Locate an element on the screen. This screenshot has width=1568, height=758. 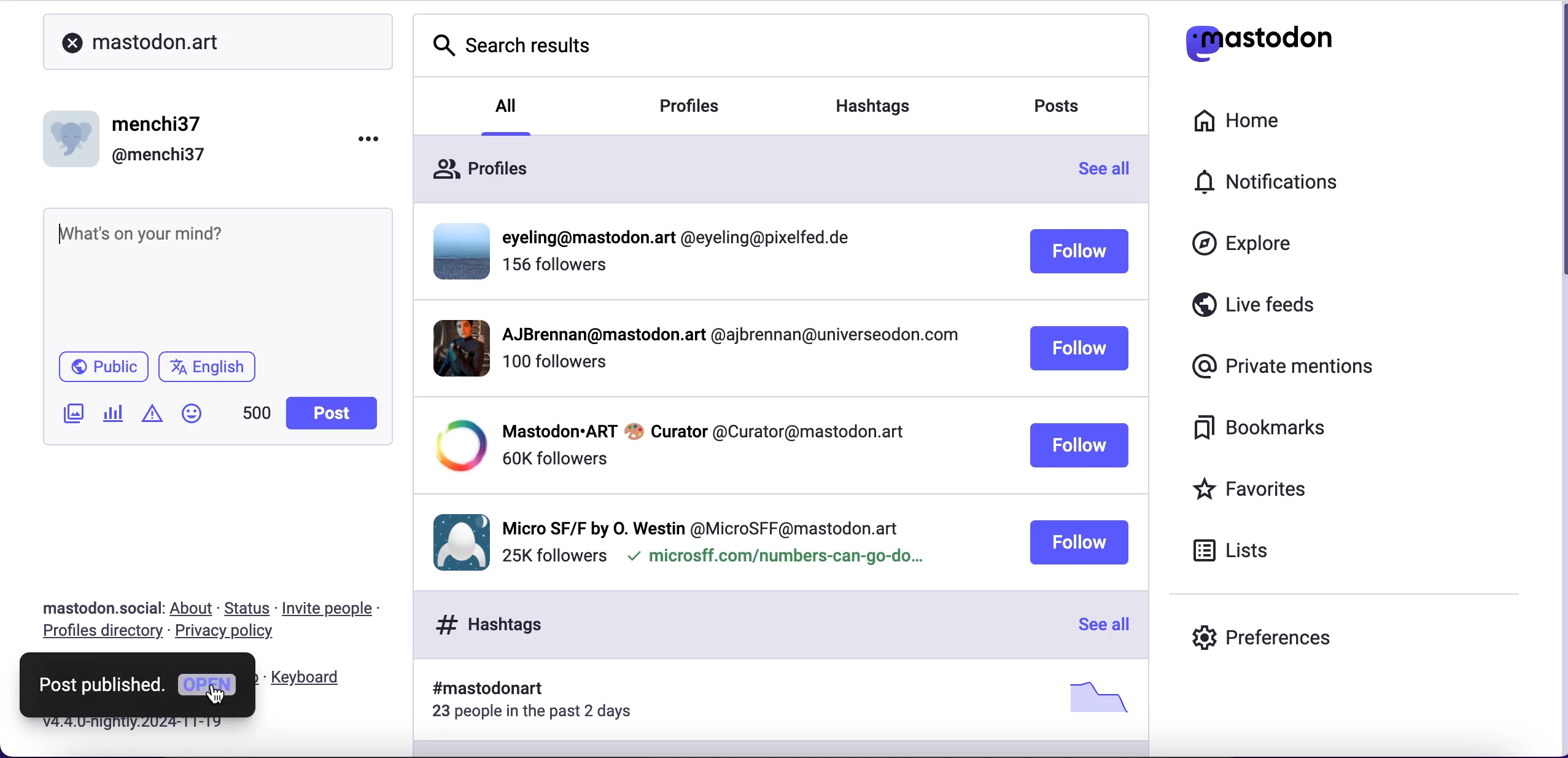
emoji is located at coordinates (200, 417).